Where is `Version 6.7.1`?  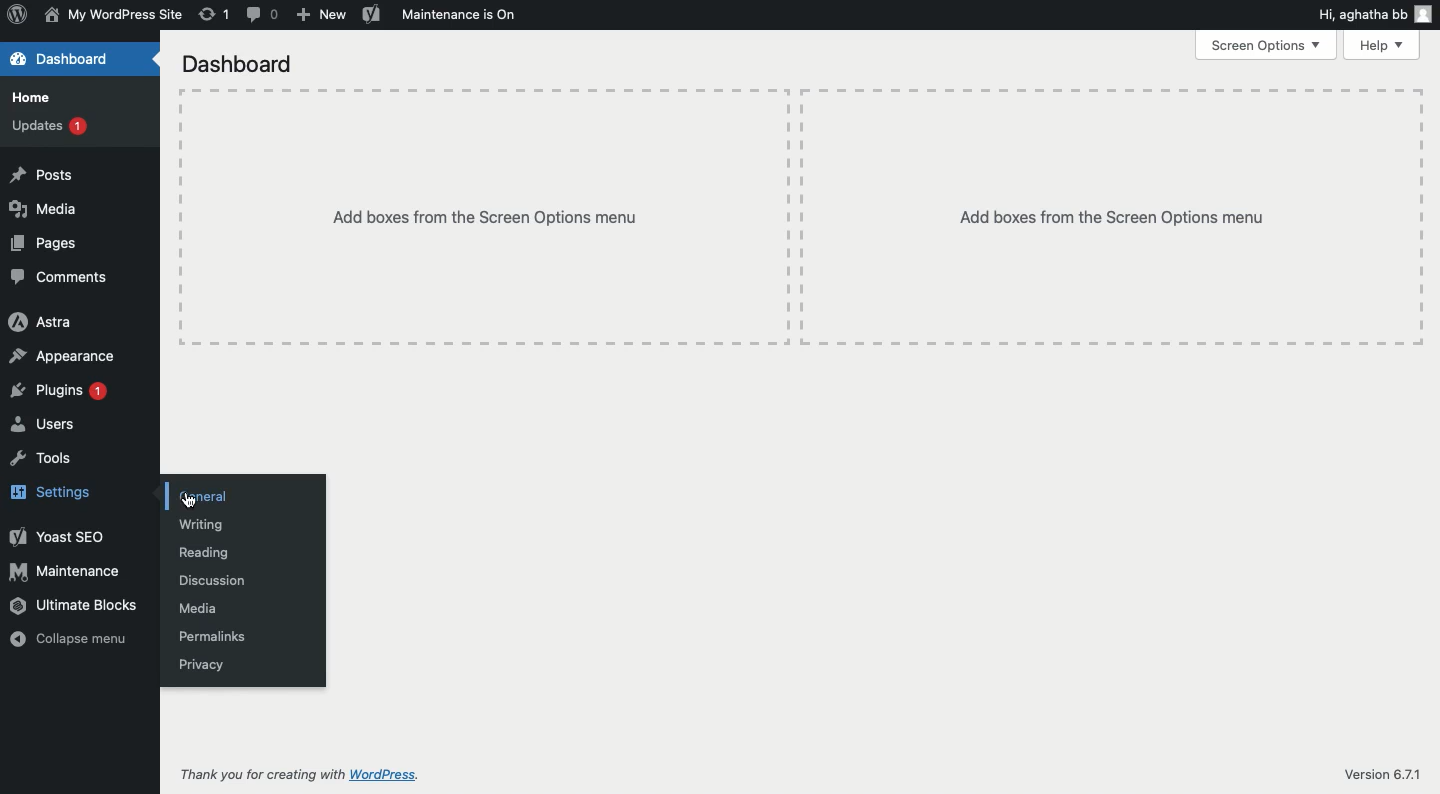 Version 6.7.1 is located at coordinates (1380, 771).